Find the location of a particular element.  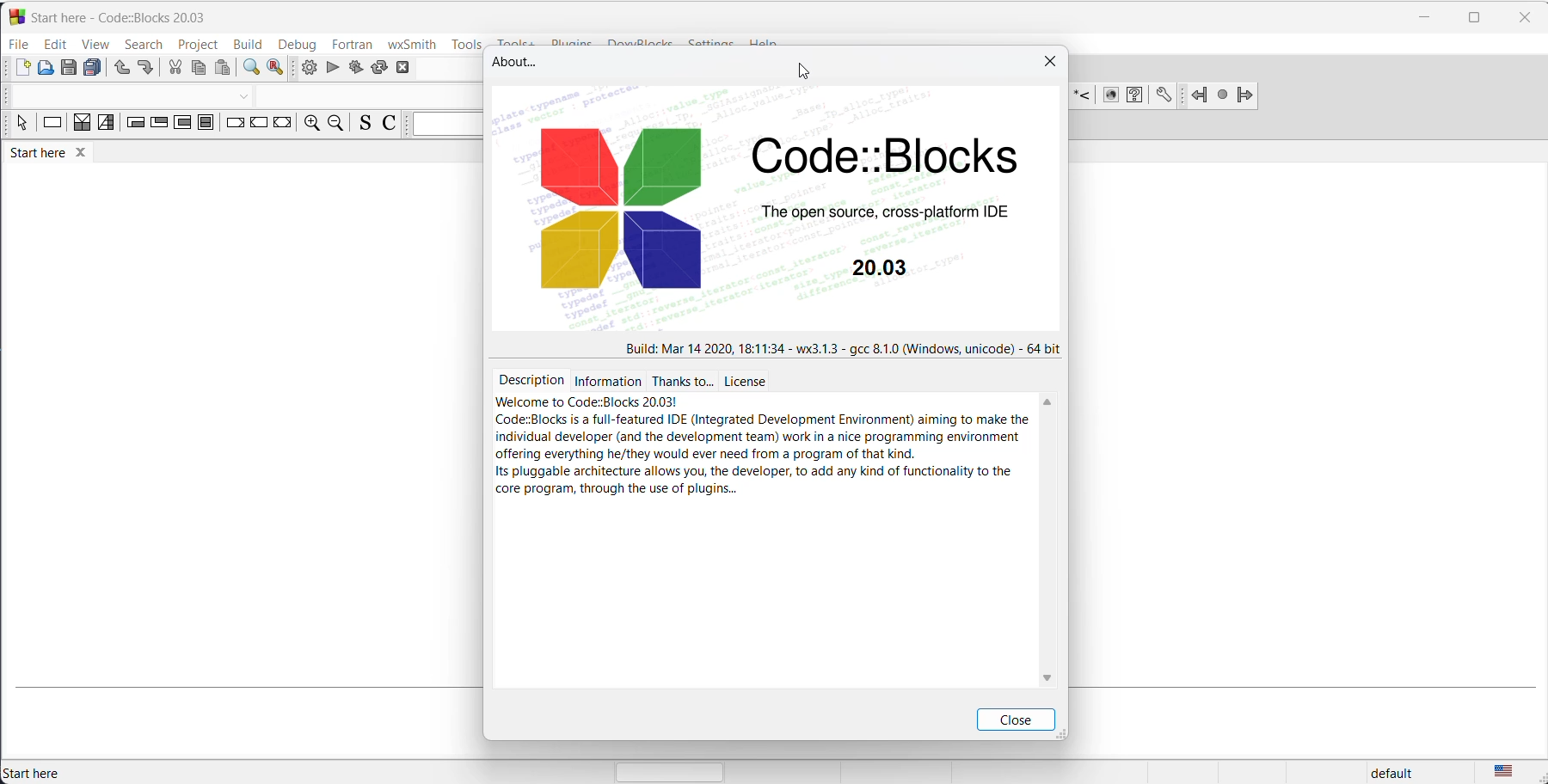

maximize is located at coordinates (1477, 15).